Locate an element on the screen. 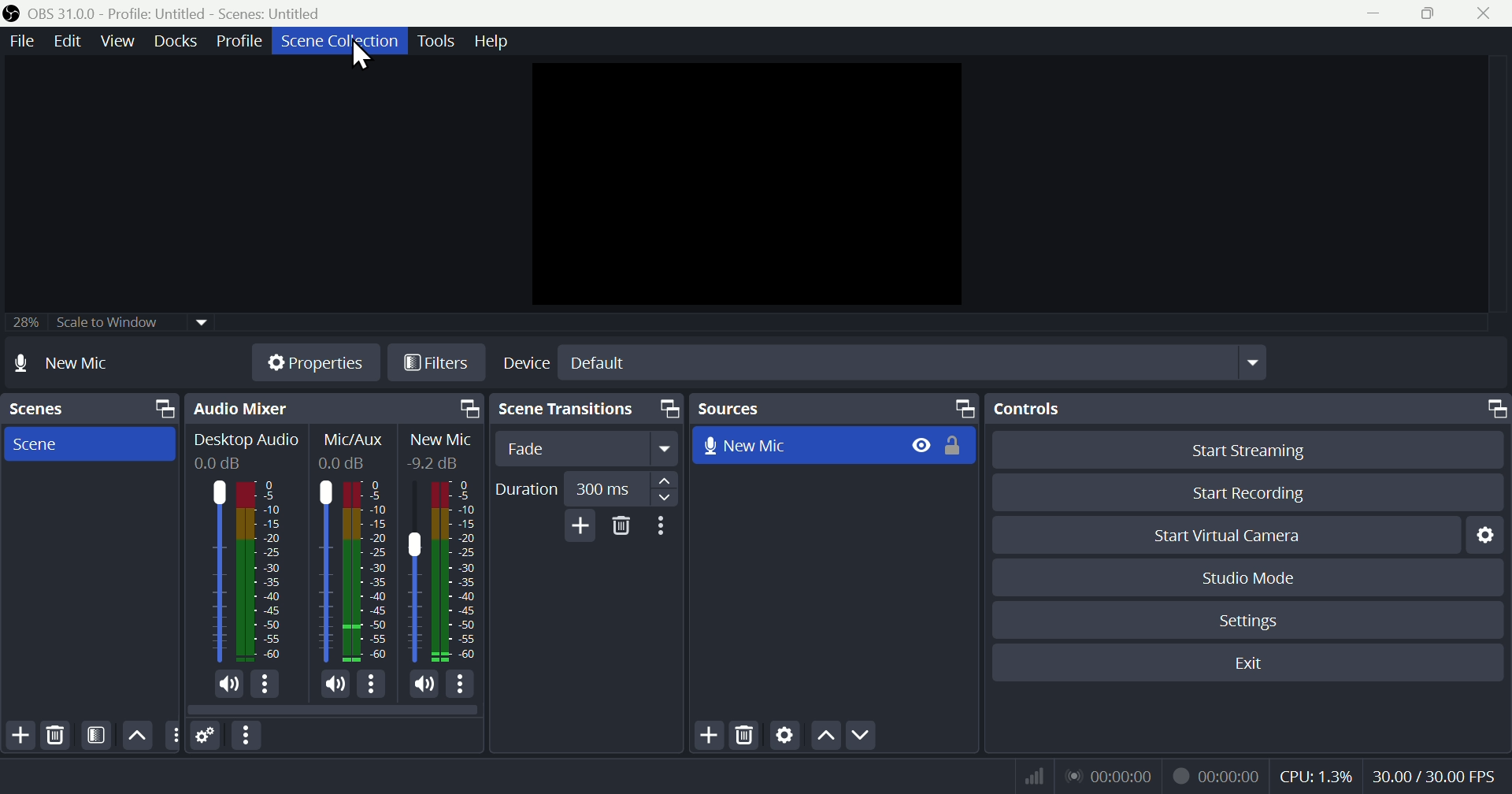  Edit is located at coordinates (60, 43).